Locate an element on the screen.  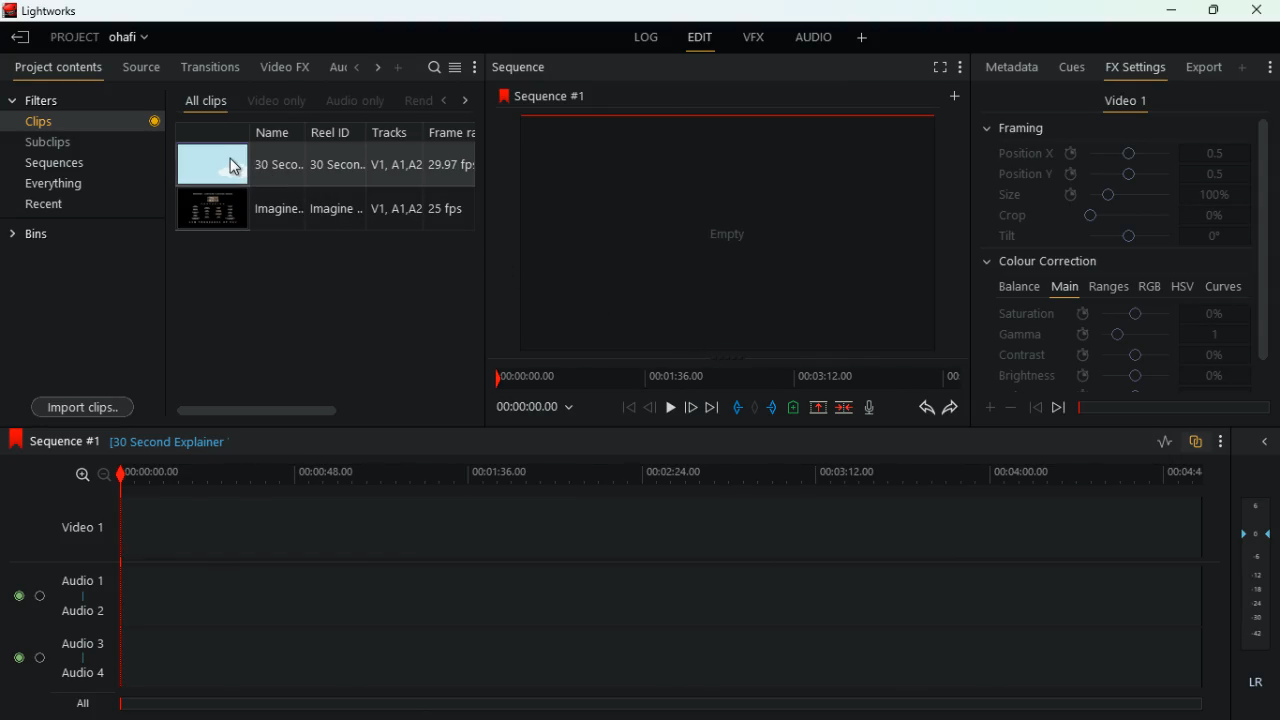
back is located at coordinates (650, 407).